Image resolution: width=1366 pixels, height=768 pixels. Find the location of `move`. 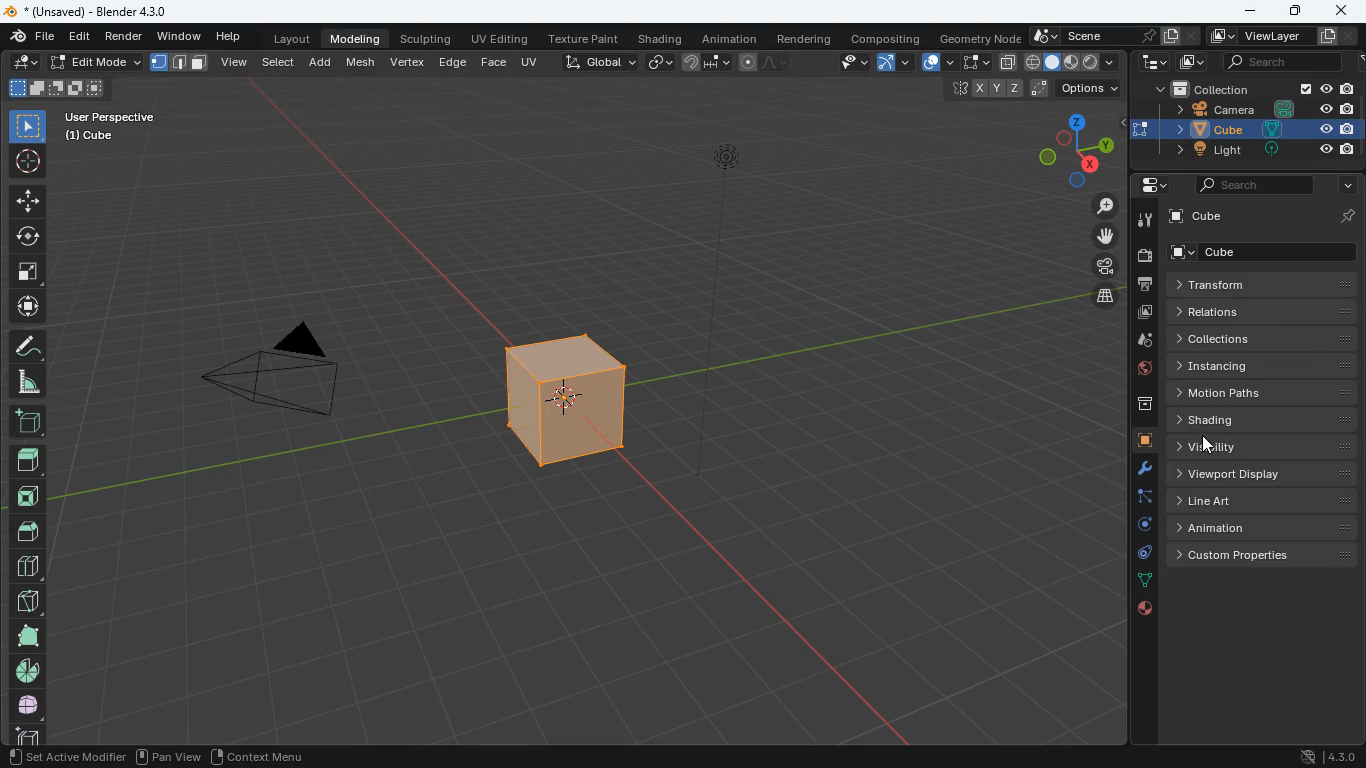

move is located at coordinates (26, 202).